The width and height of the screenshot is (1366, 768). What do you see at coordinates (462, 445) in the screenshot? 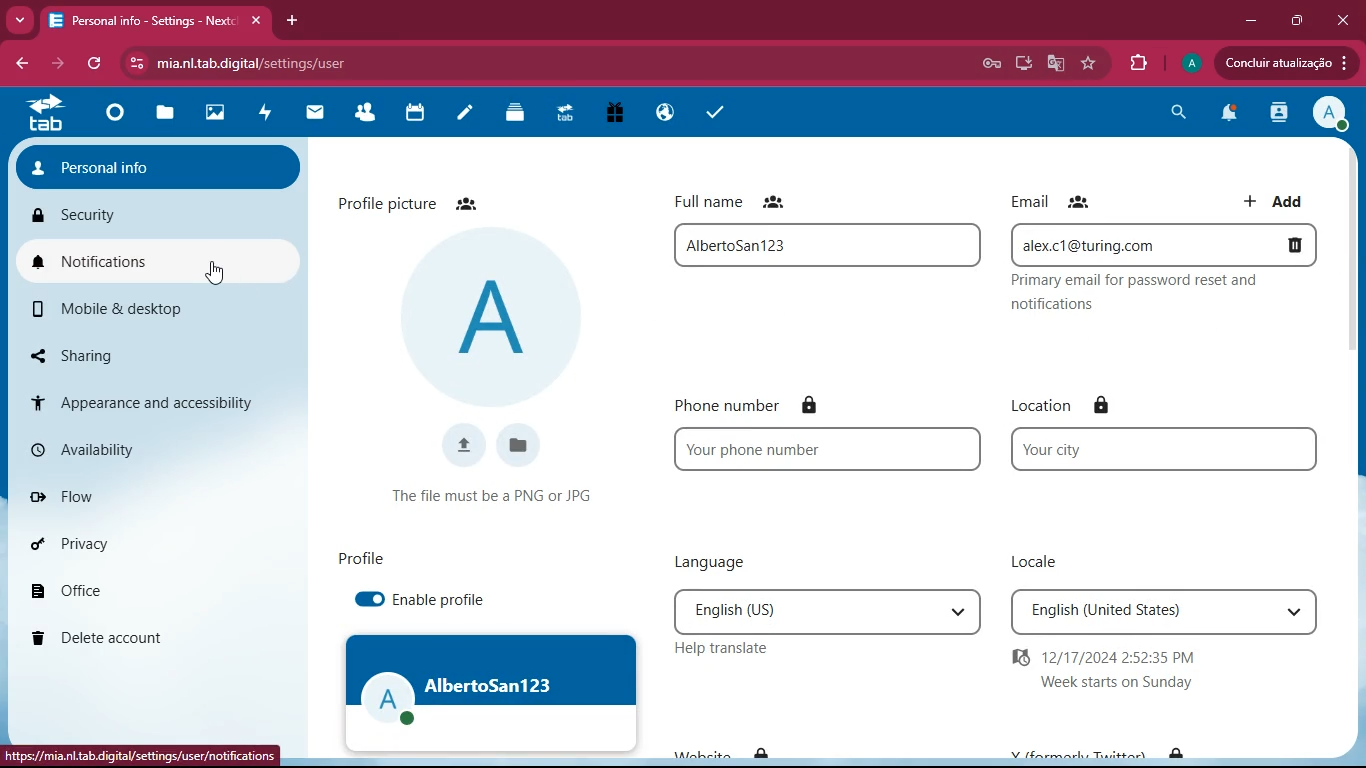
I see `upload` at bounding box center [462, 445].